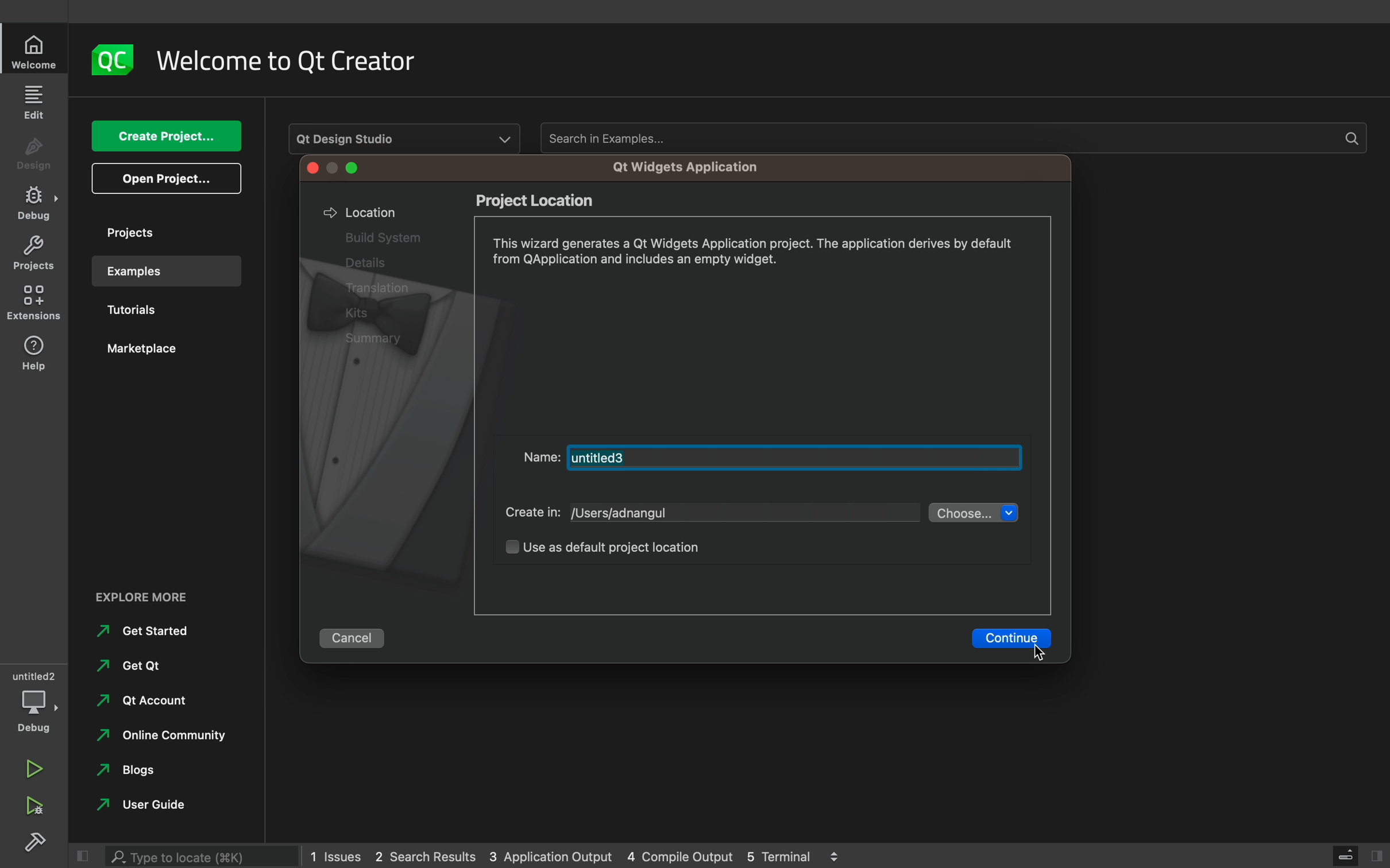 This screenshot has width=1390, height=868. I want to click on debug, so click(33, 699).